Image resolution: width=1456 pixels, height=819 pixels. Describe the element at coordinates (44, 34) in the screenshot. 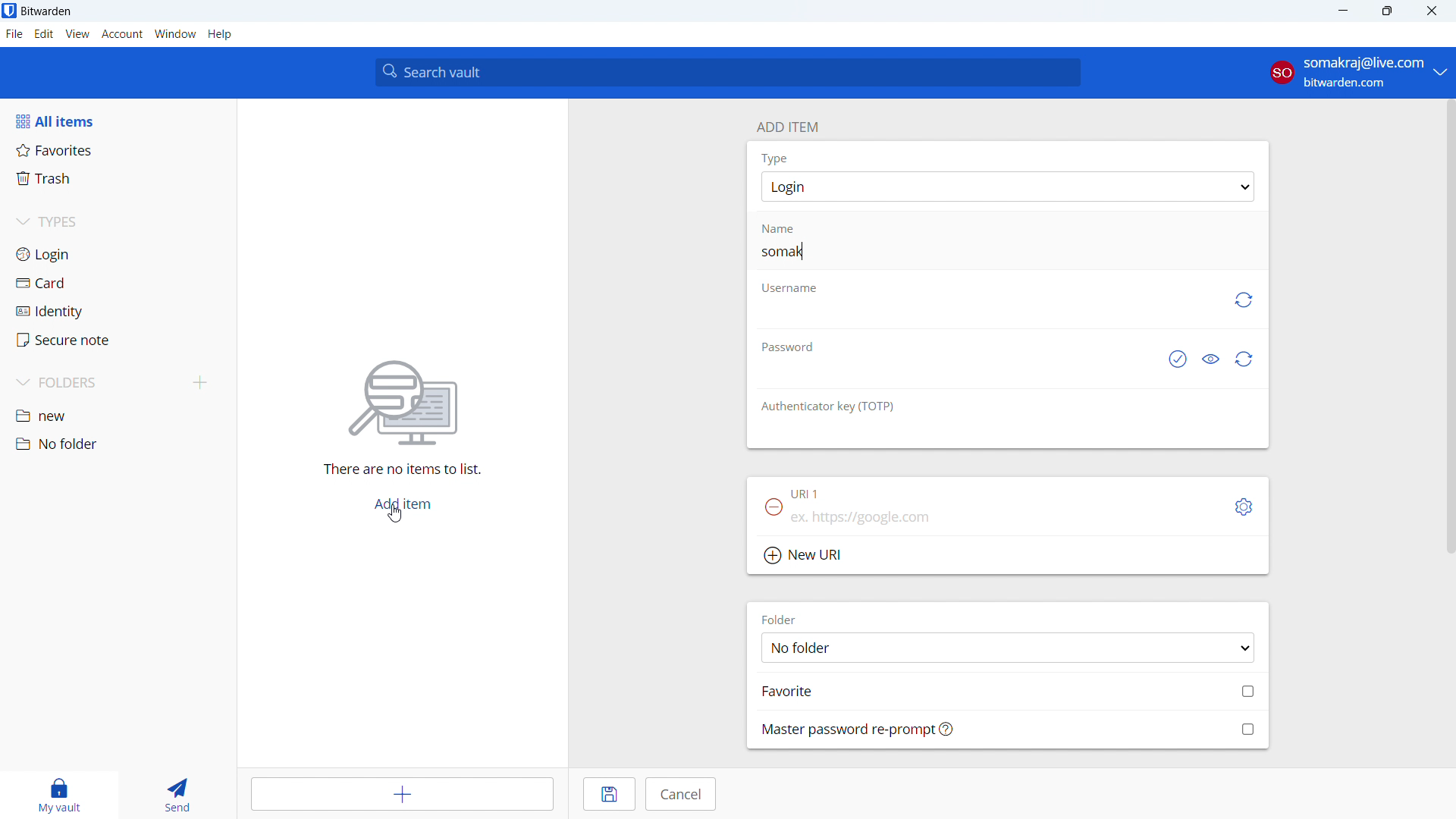

I see `edit` at that location.